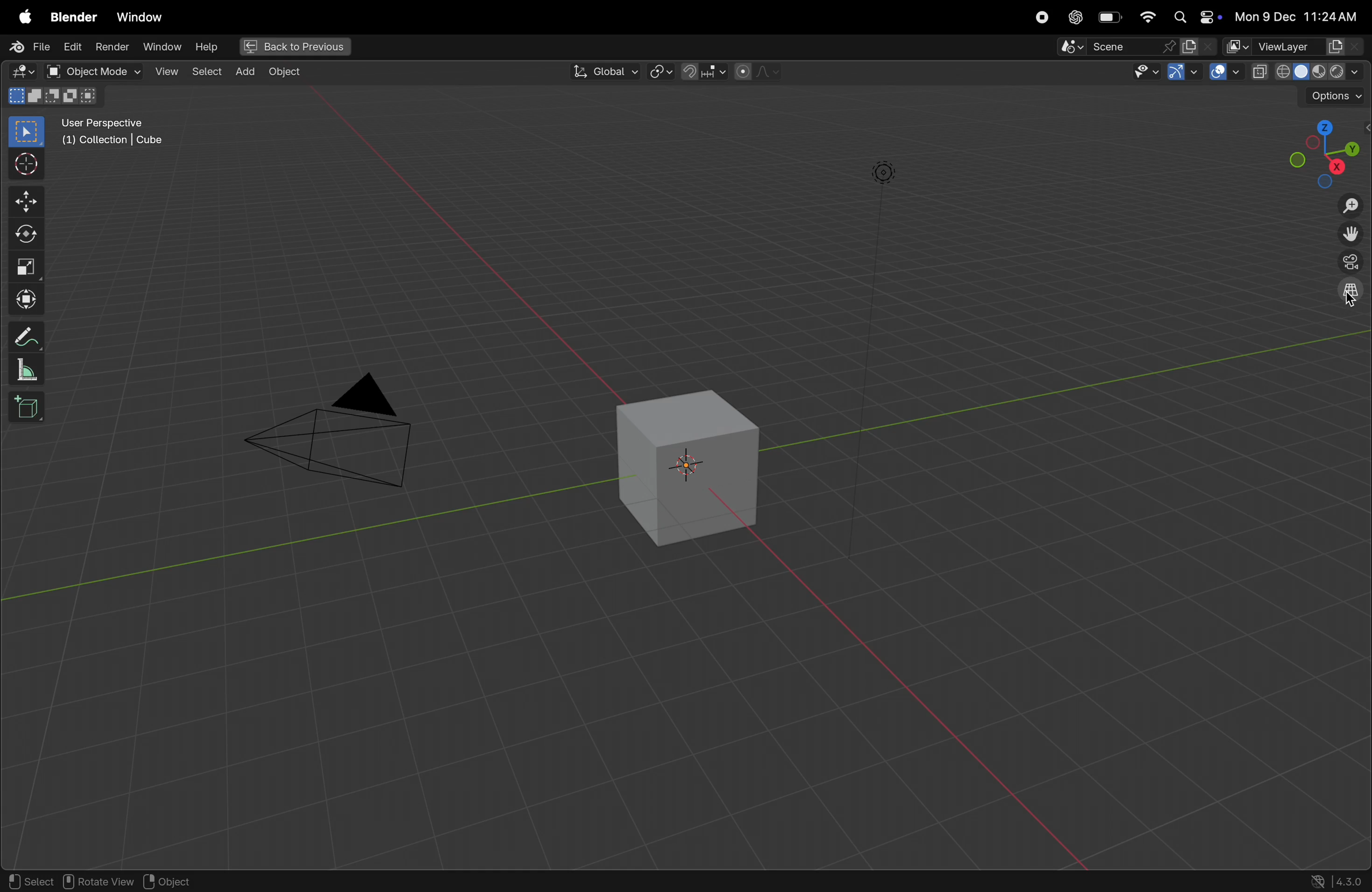 The image size is (1372, 892). What do you see at coordinates (20, 13) in the screenshot?
I see `apple menu` at bounding box center [20, 13].